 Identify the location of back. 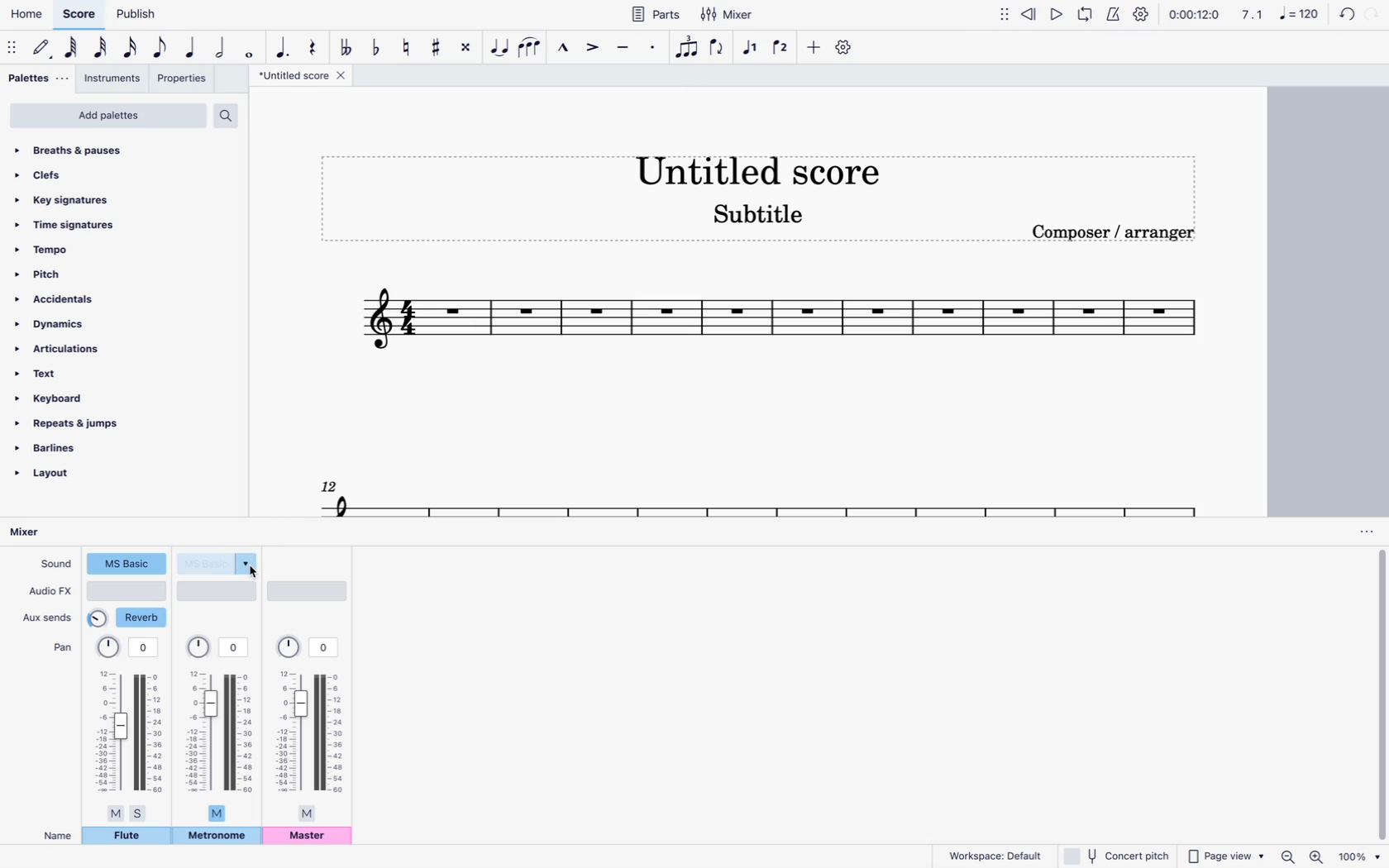
(1343, 14).